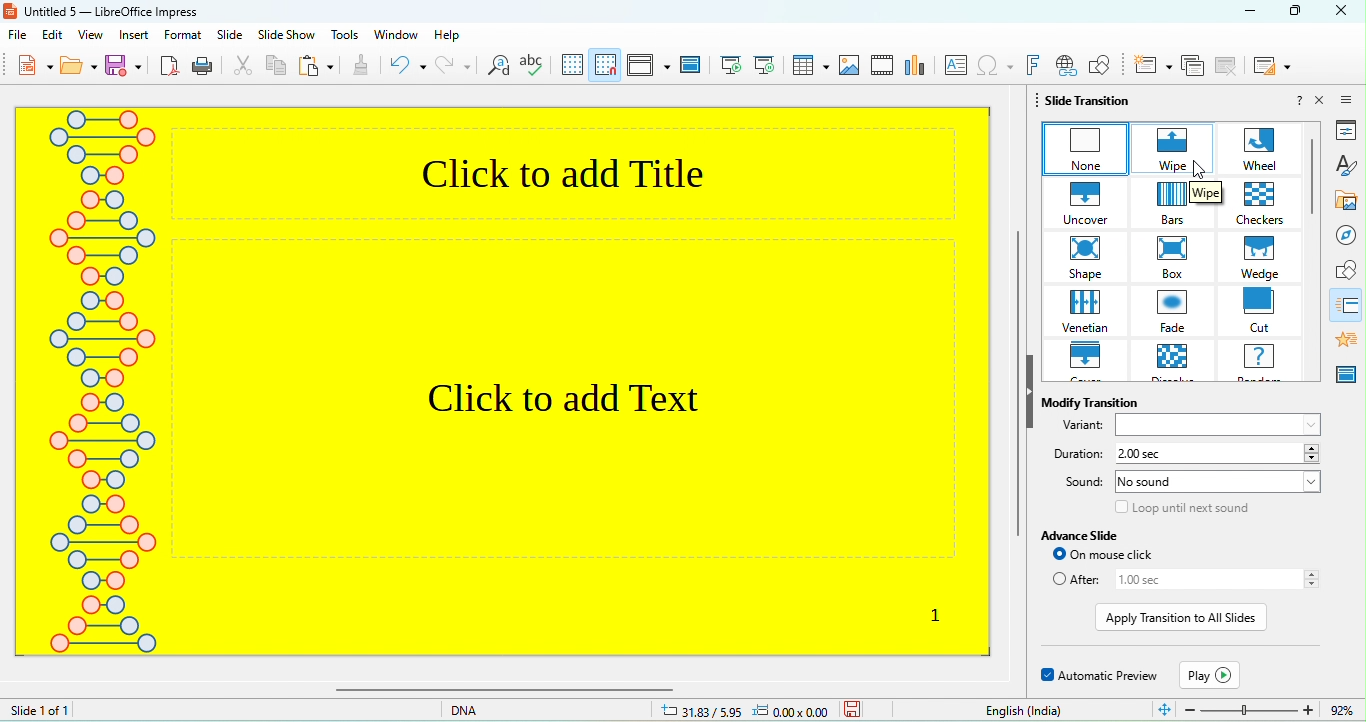 Image resolution: width=1366 pixels, height=722 pixels. I want to click on ?, so click(1299, 101).